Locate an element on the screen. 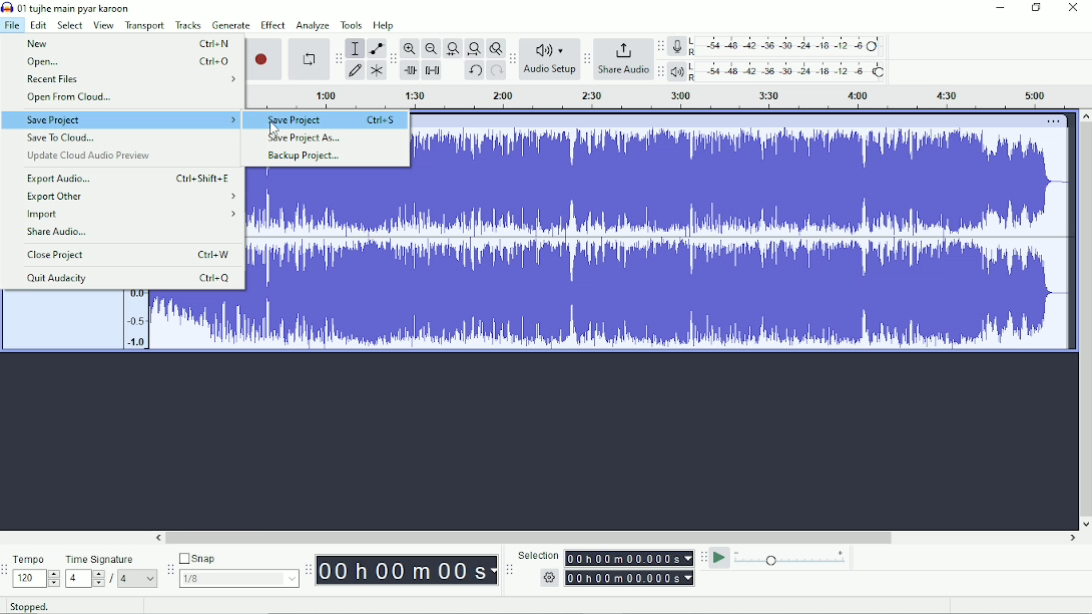 This screenshot has width=1092, height=614. Audio is located at coordinates (739, 240).